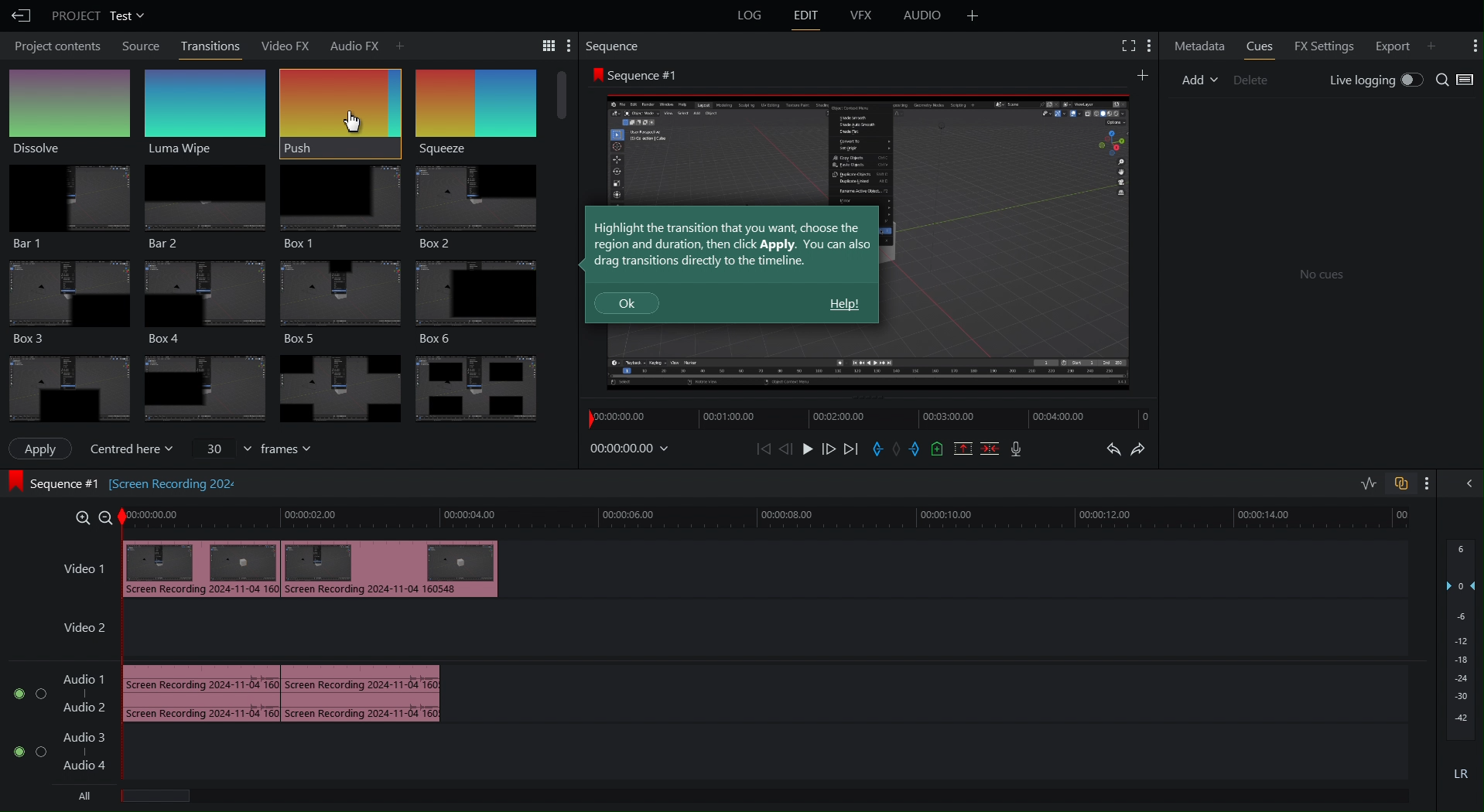 This screenshot has width=1484, height=812. What do you see at coordinates (13, 750) in the screenshot?
I see `toggle` at bounding box center [13, 750].